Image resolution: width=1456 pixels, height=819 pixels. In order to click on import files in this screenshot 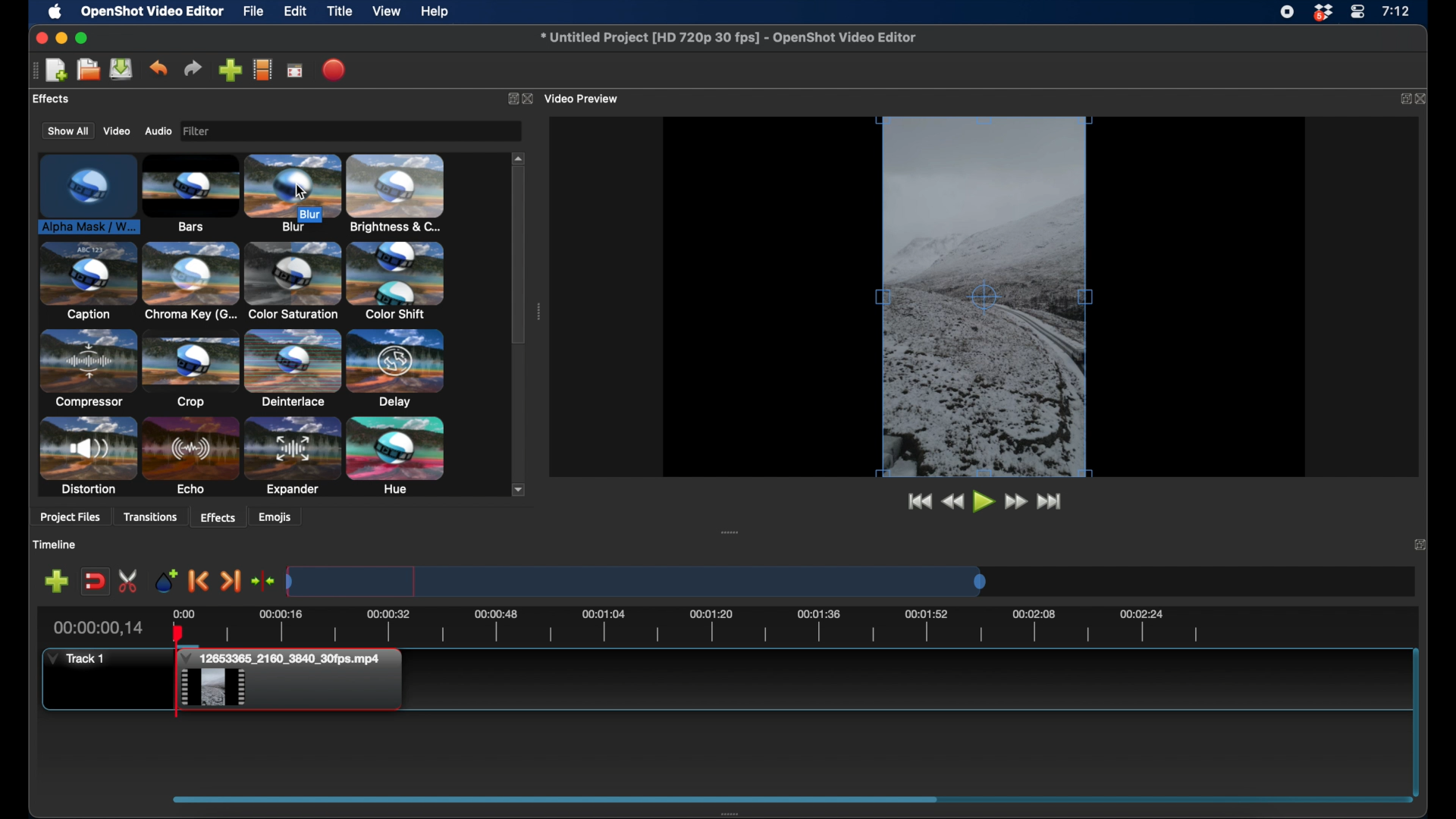, I will do `click(231, 70)`.